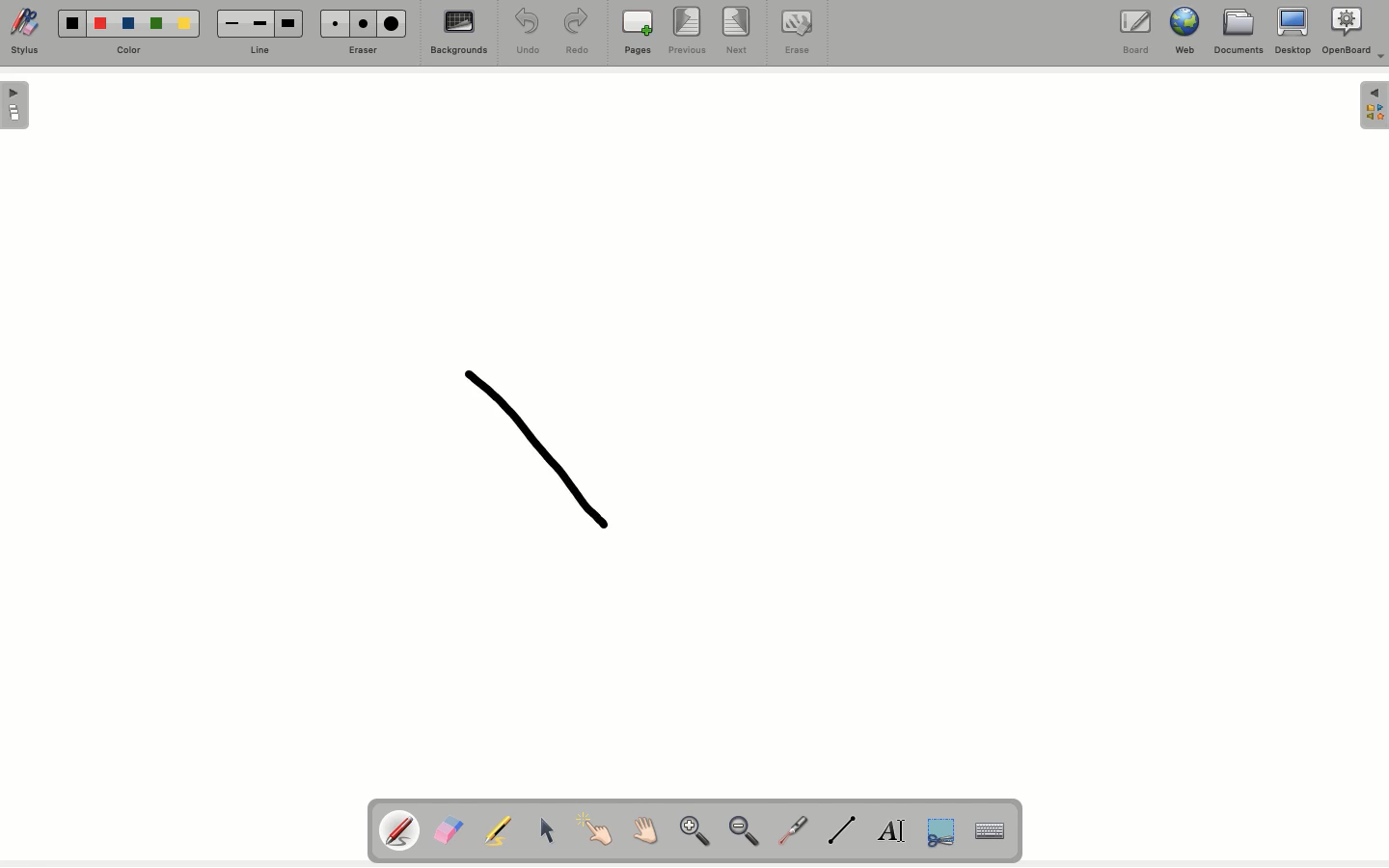 The height and width of the screenshot is (868, 1389). What do you see at coordinates (531, 446) in the screenshot?
I see `Dragging pen` at bounding box center [531, 446].